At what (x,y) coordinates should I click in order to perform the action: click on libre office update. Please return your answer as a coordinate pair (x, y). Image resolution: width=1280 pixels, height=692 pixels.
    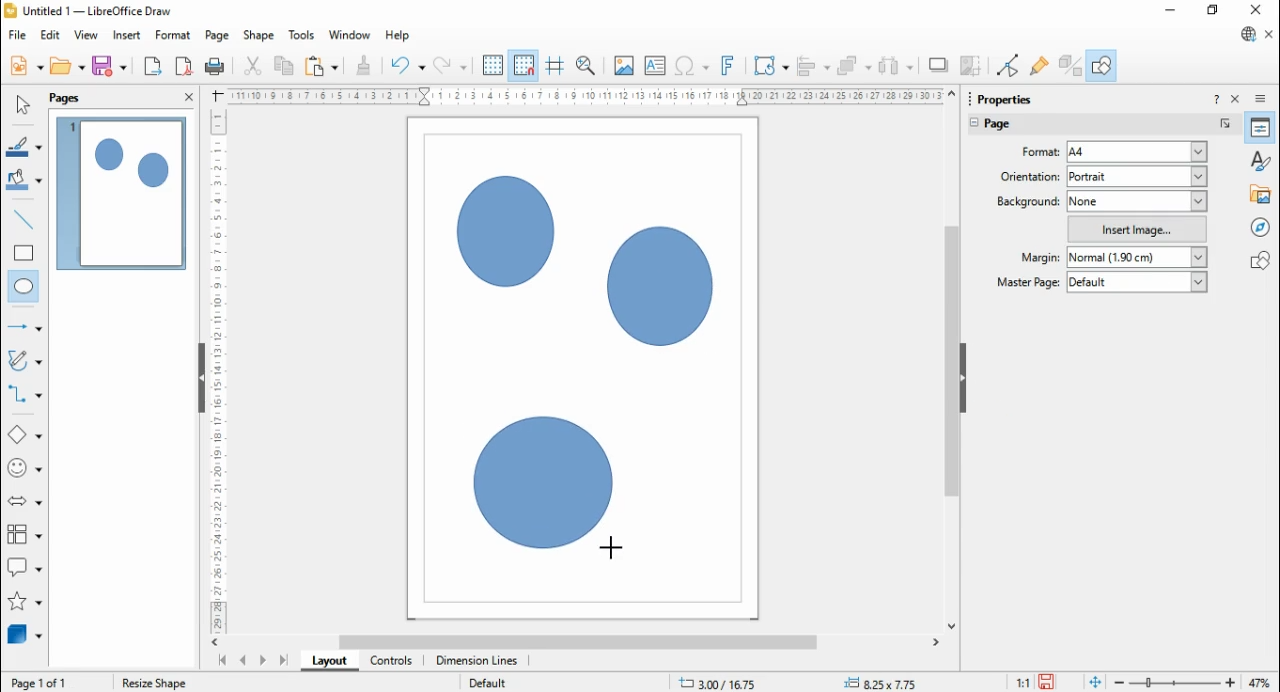
    Looking at the image, I should click on (1247, 34).